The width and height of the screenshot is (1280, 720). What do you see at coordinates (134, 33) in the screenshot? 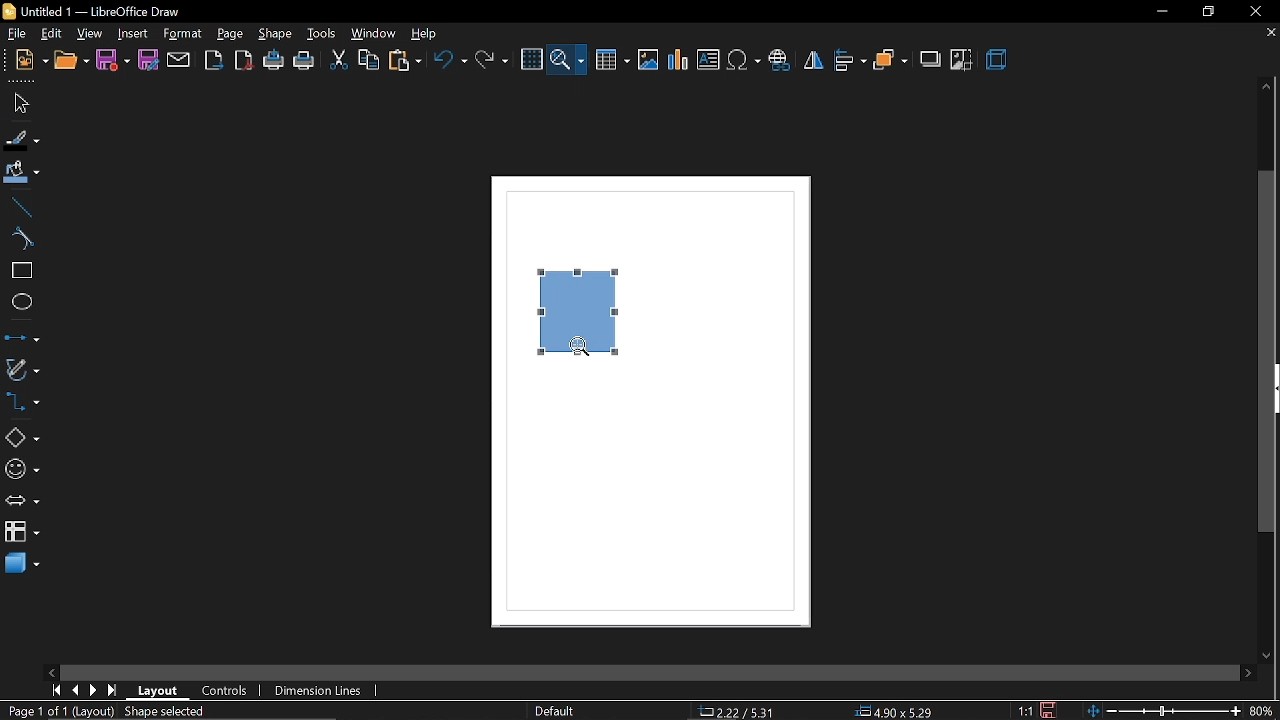
I see `insert` at bounding box center [134, 33].